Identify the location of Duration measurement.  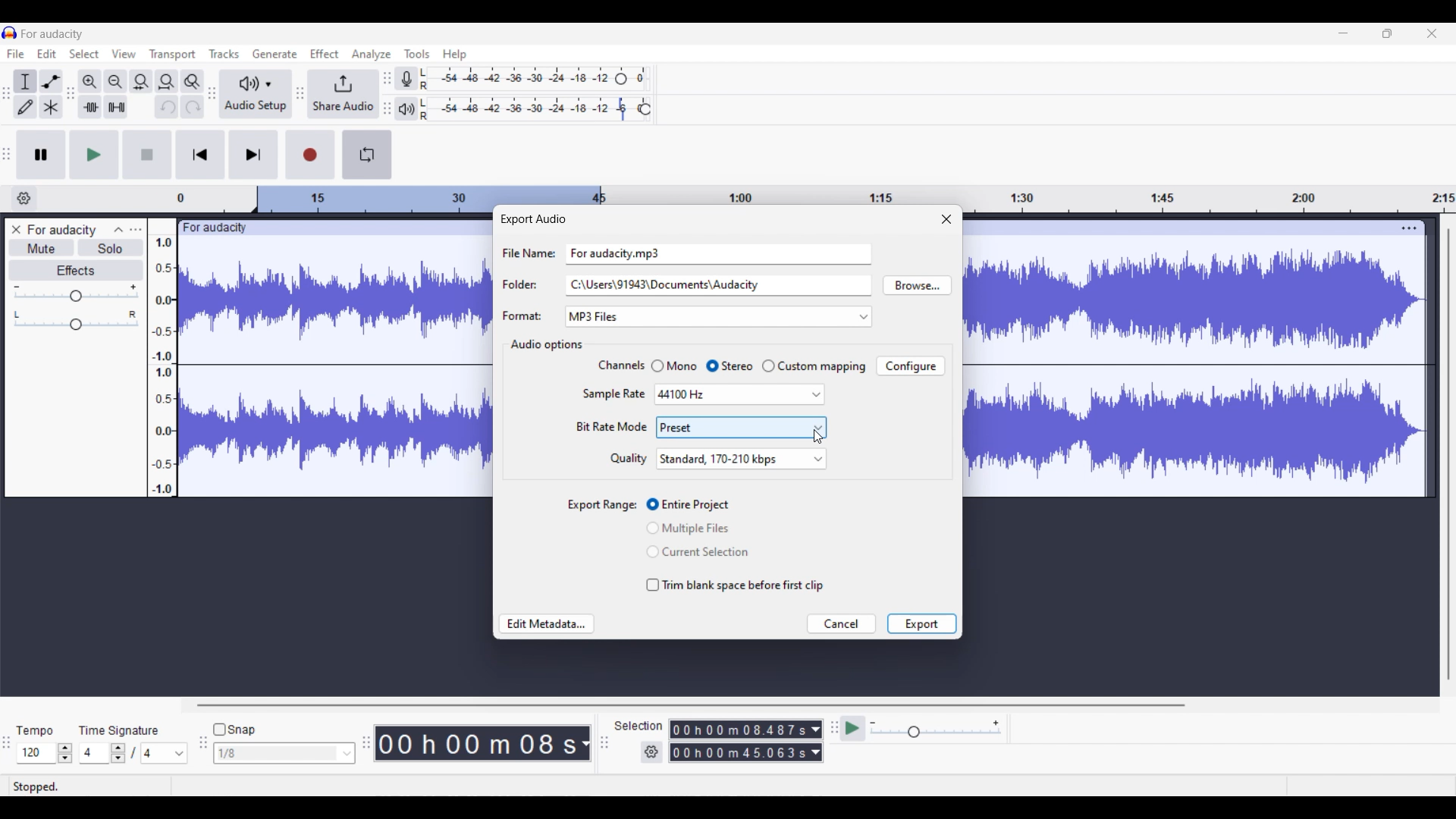
(815, 752).